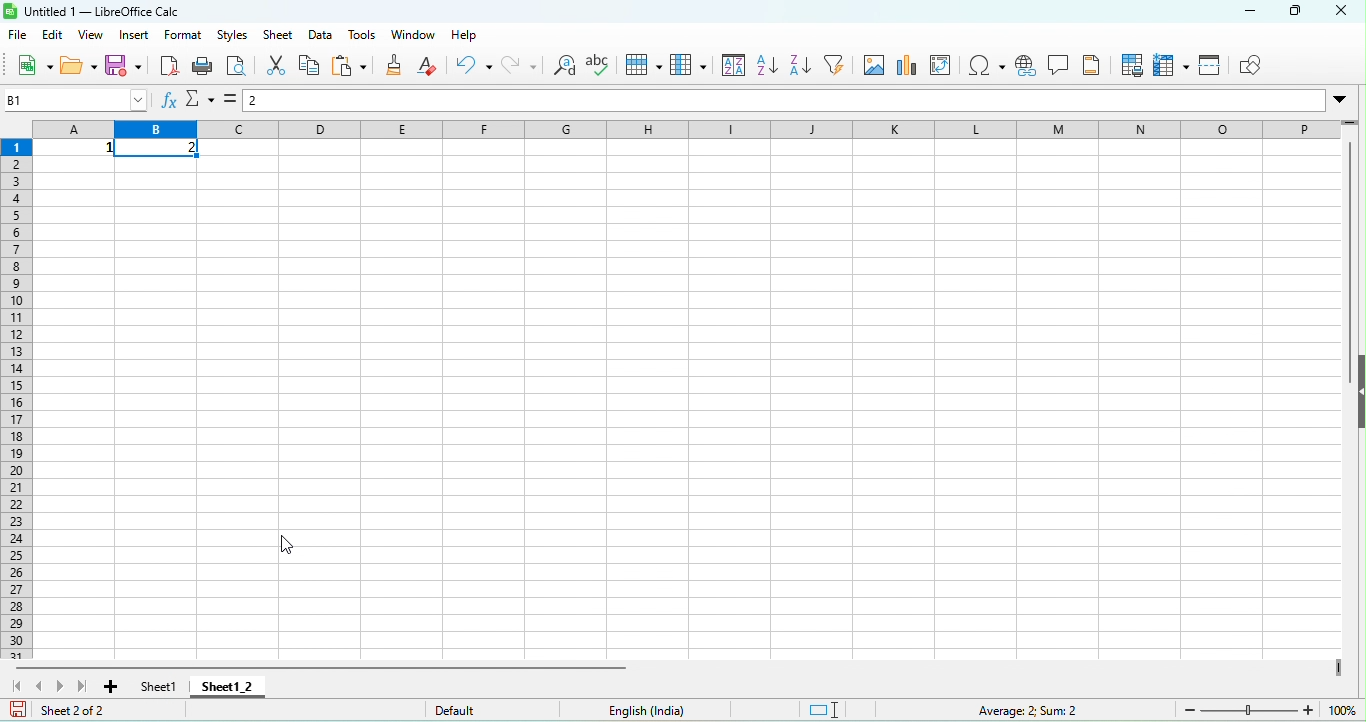  I want to click on drag to view more colums, so click(1335, 670).